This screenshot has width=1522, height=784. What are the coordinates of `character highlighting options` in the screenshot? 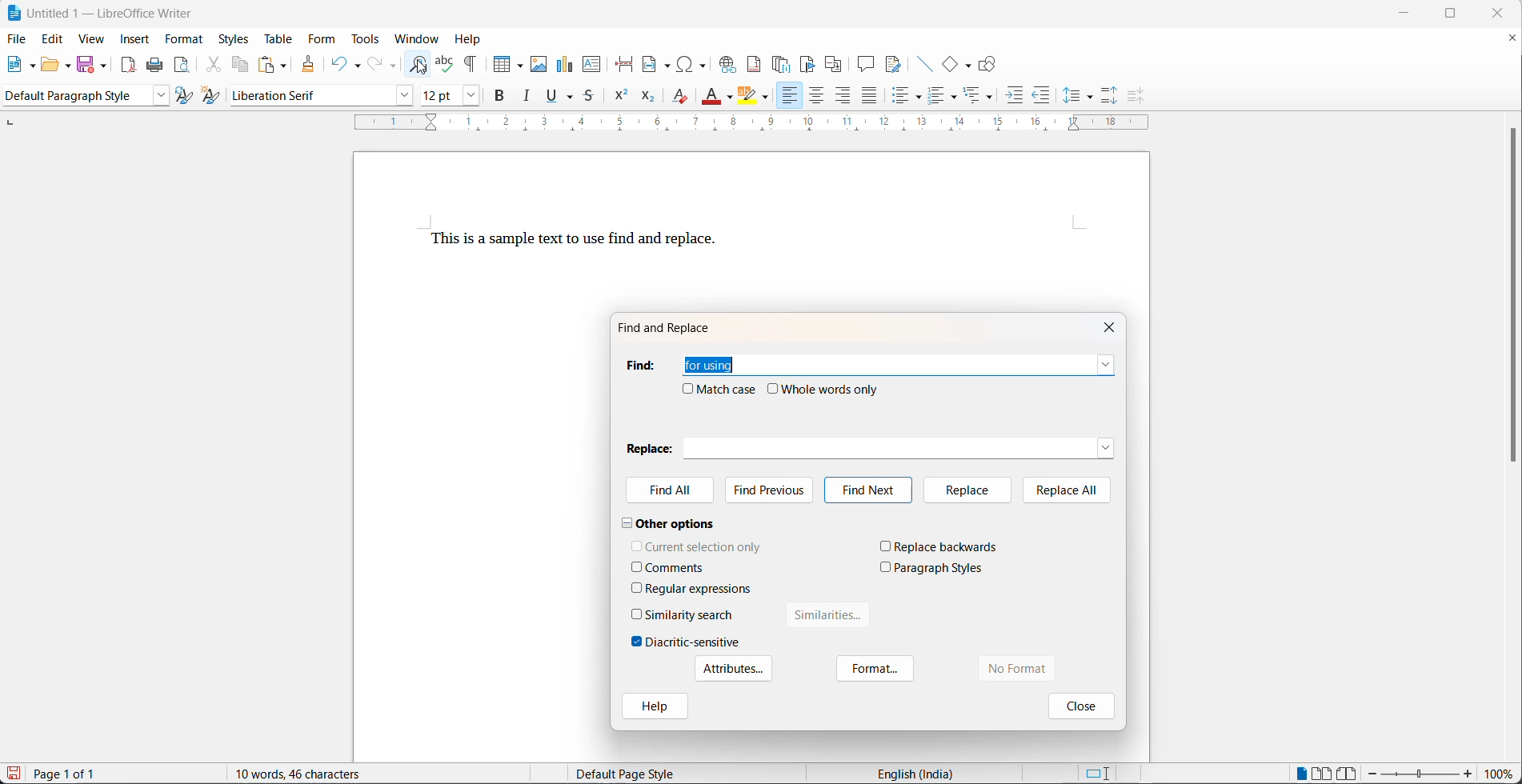 It's located at (768, 98).